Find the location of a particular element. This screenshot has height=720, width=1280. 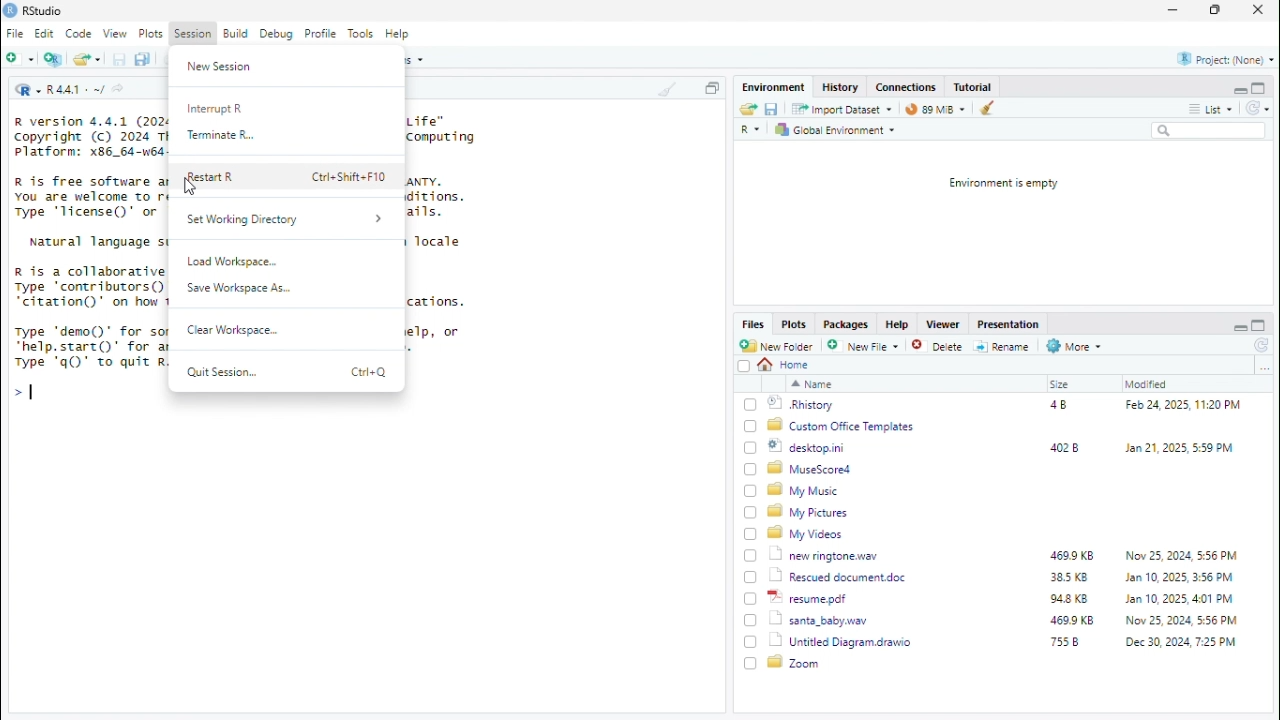

Plots is located at coordinates (151, 33).